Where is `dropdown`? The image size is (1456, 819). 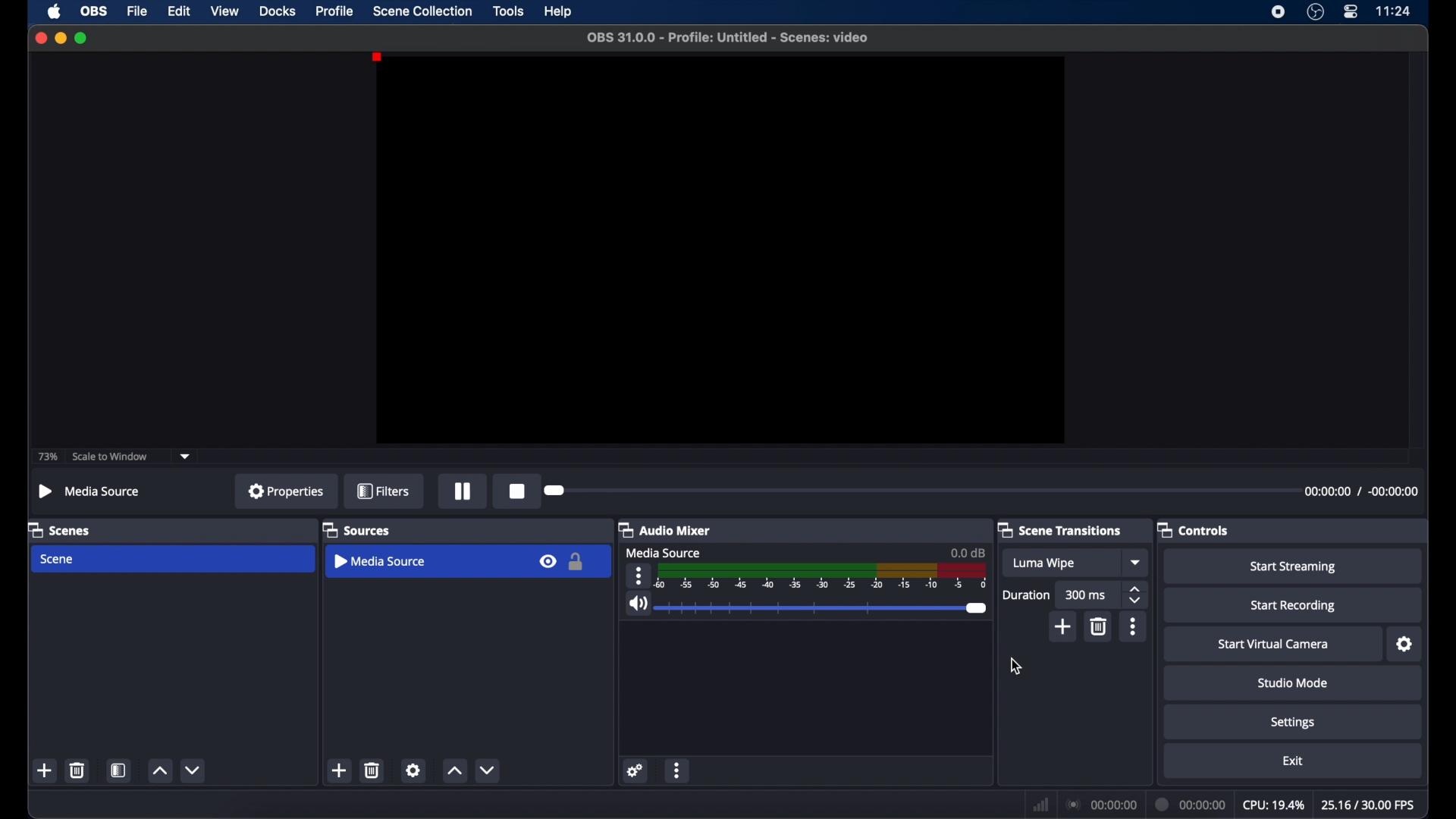 dropdown is located at coordinates (186, 457).